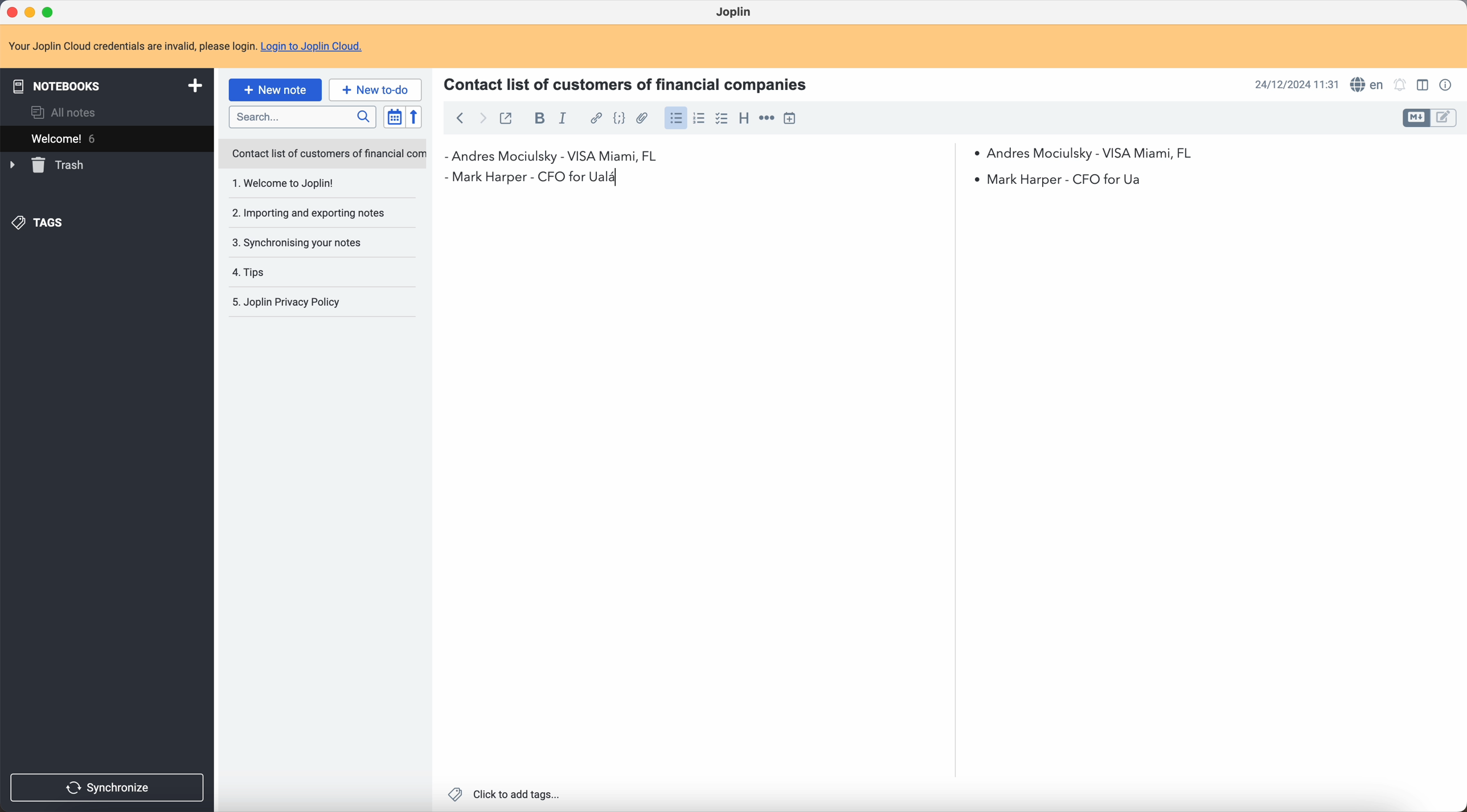 This screenshot has height=812, width=1467. I want to click on synchronize, so click(108, 788).